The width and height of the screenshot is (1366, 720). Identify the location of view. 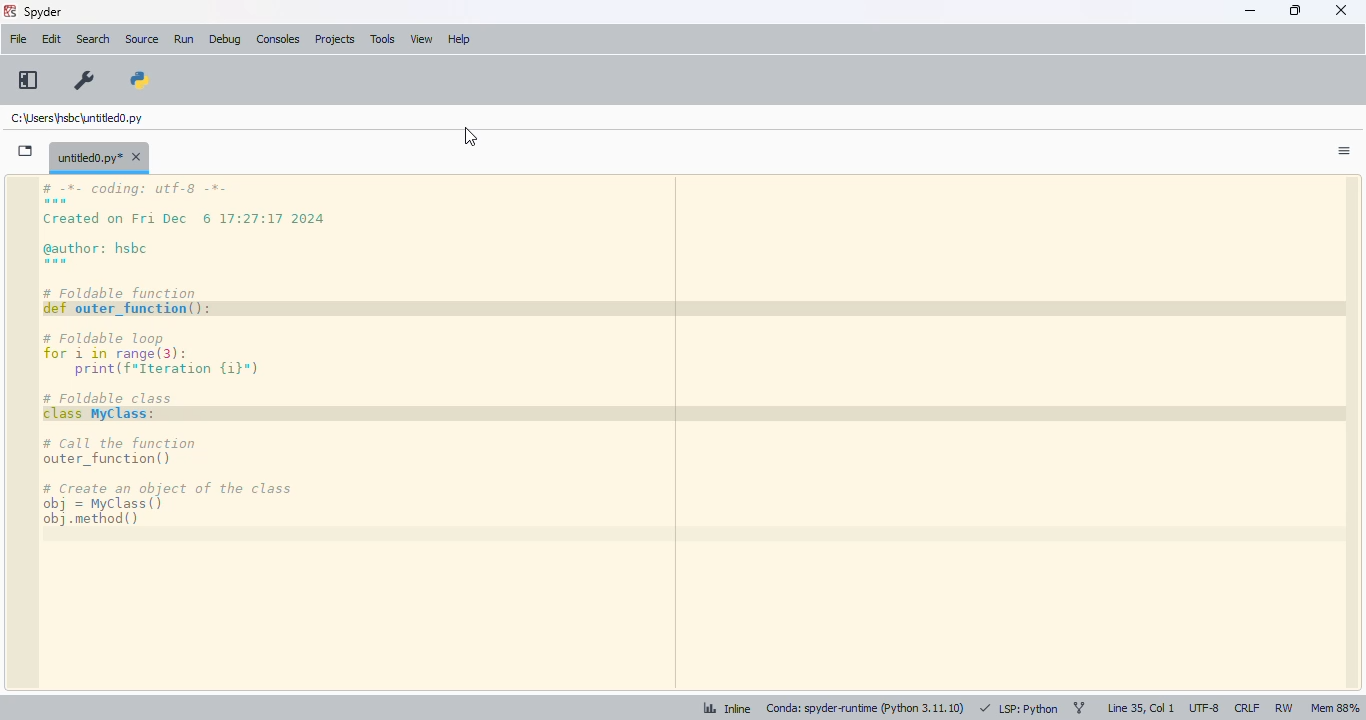
(423, 39).